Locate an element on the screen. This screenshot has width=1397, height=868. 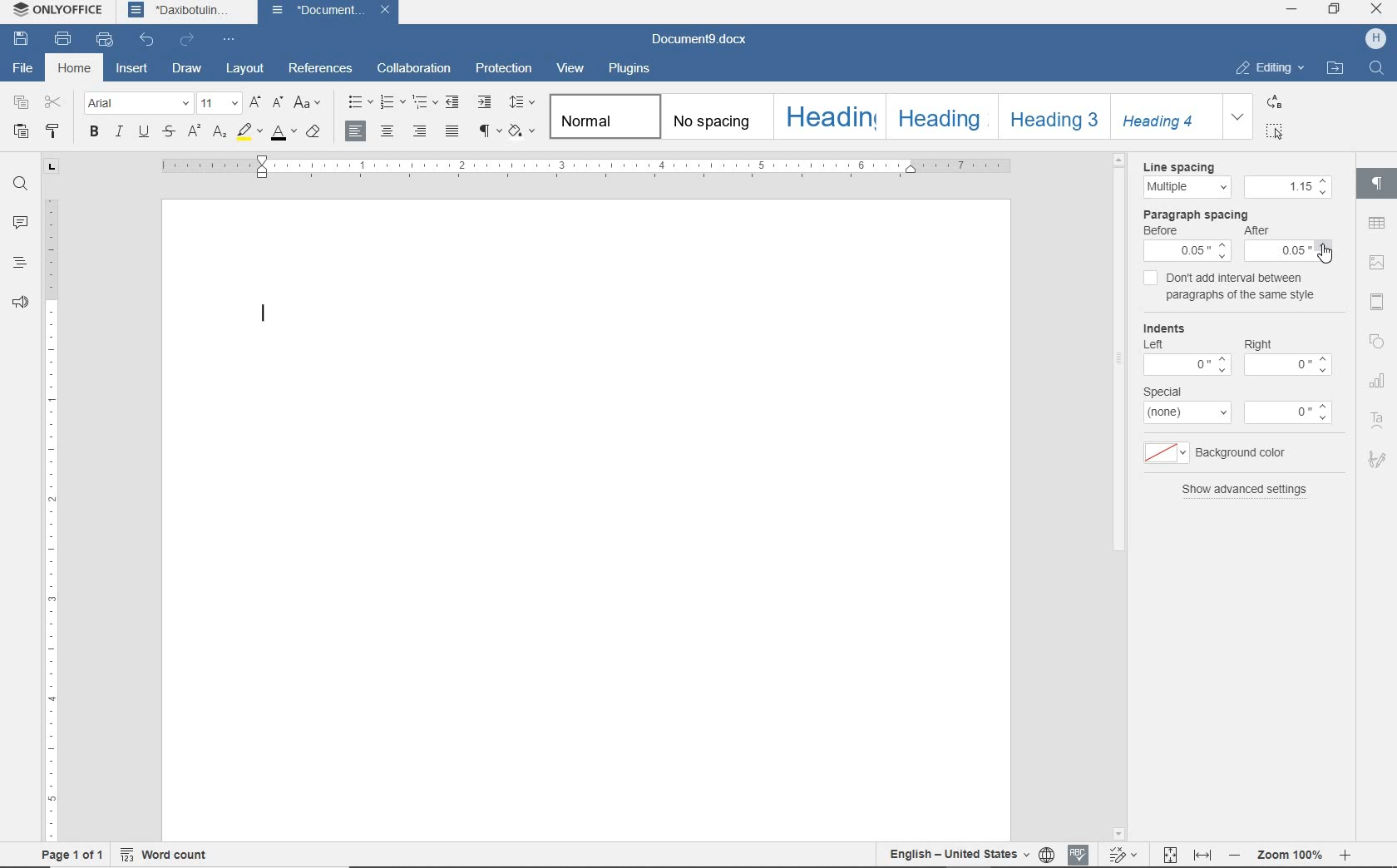
spell checking is located at coordinates (1078, 854).